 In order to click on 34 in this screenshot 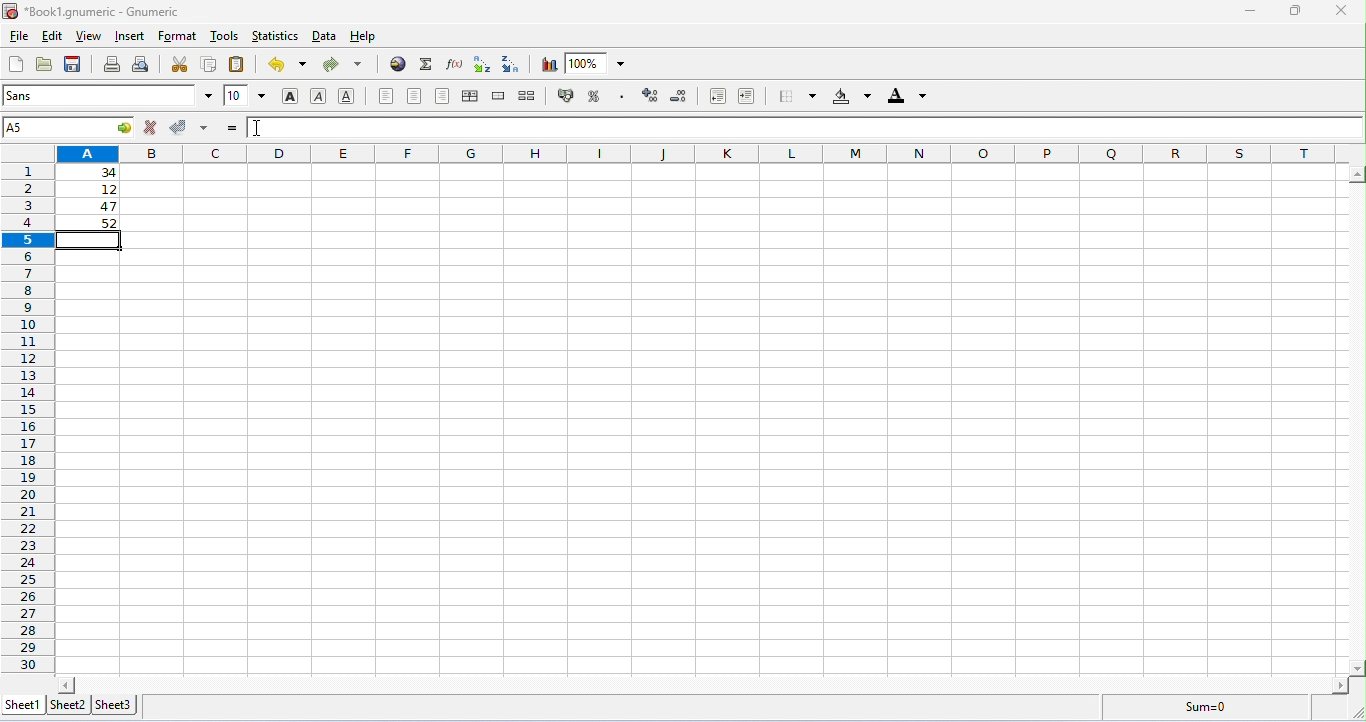, I will do `click(89, 172)`.